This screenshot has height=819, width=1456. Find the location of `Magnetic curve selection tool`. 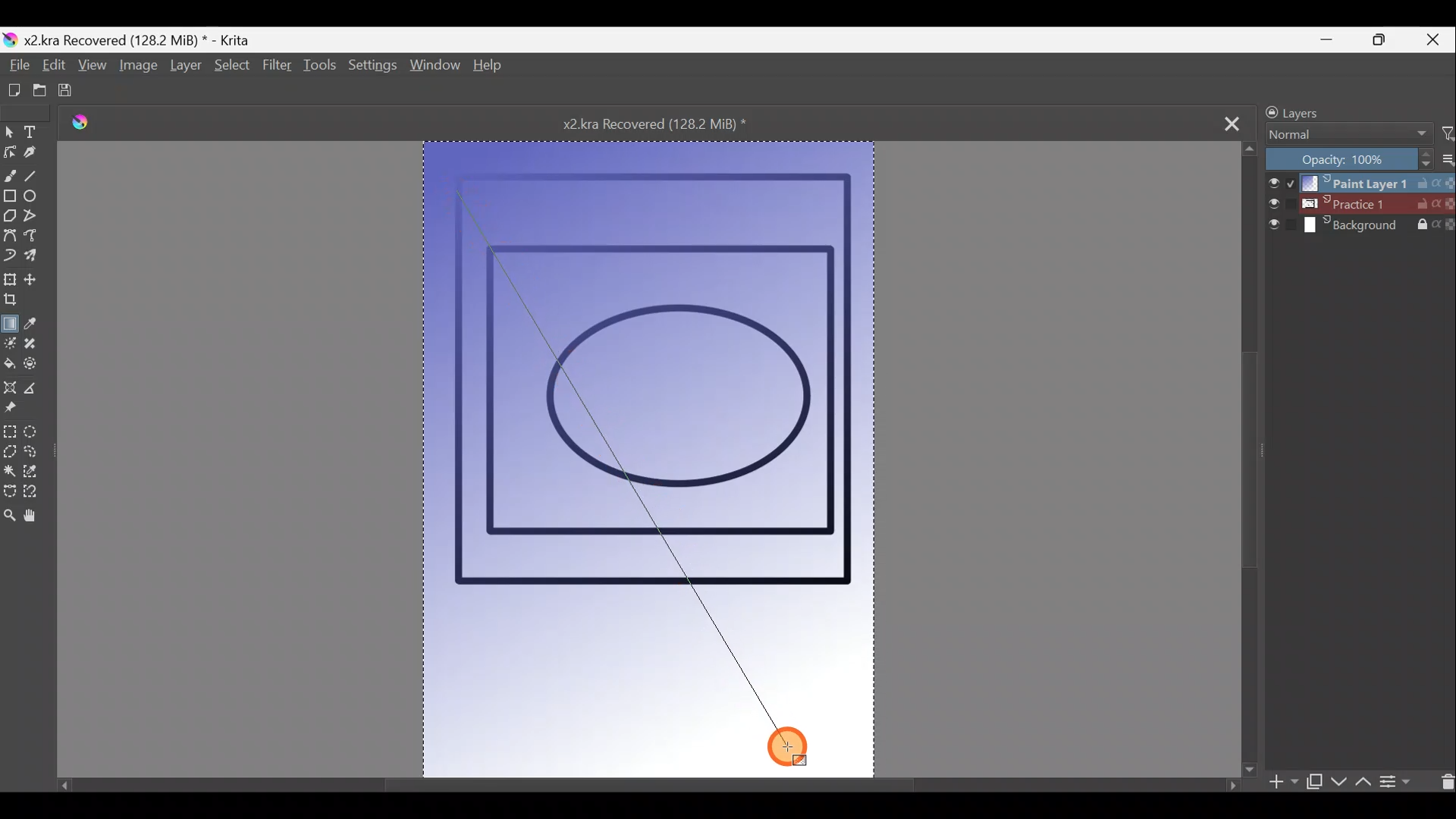

Magnetic curve selection tool is located at coordinates (33, 498).